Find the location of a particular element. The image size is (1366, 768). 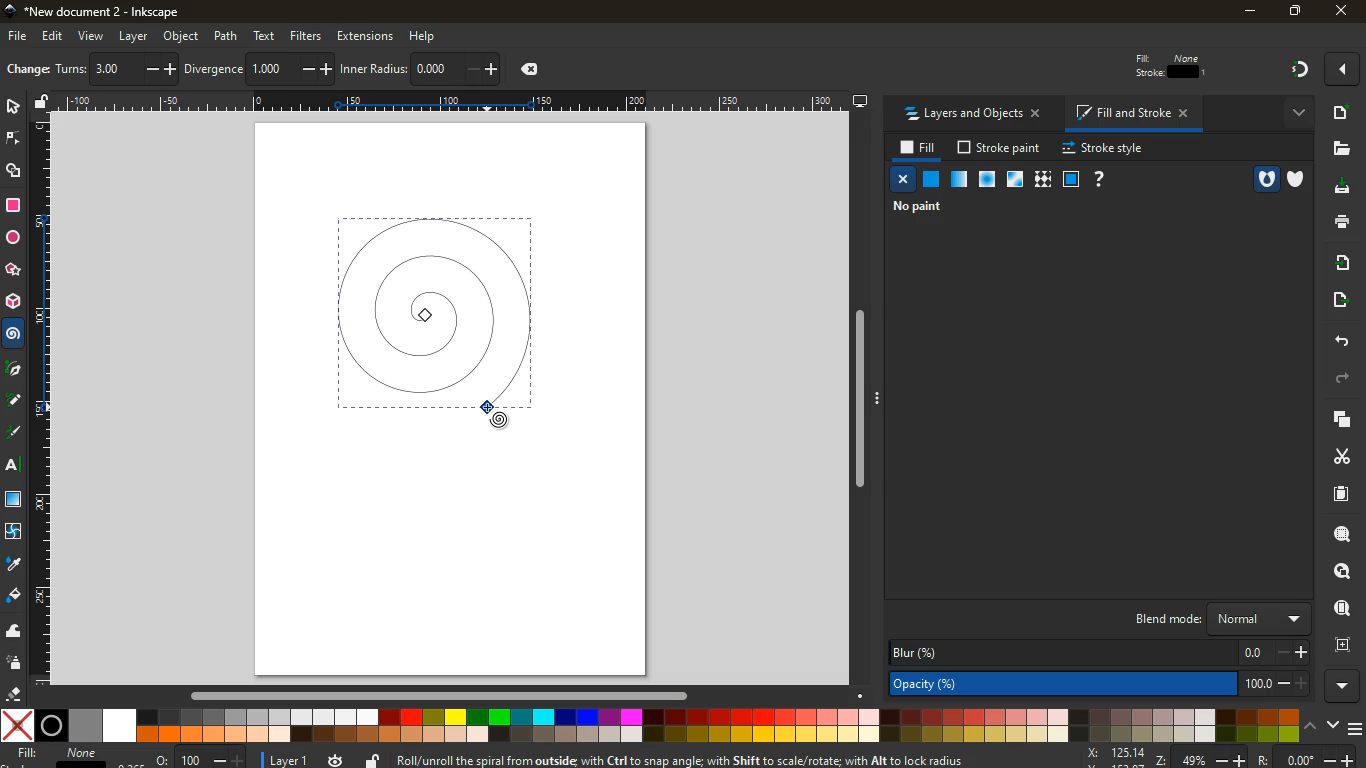

 is located at coordinates (14, 402).